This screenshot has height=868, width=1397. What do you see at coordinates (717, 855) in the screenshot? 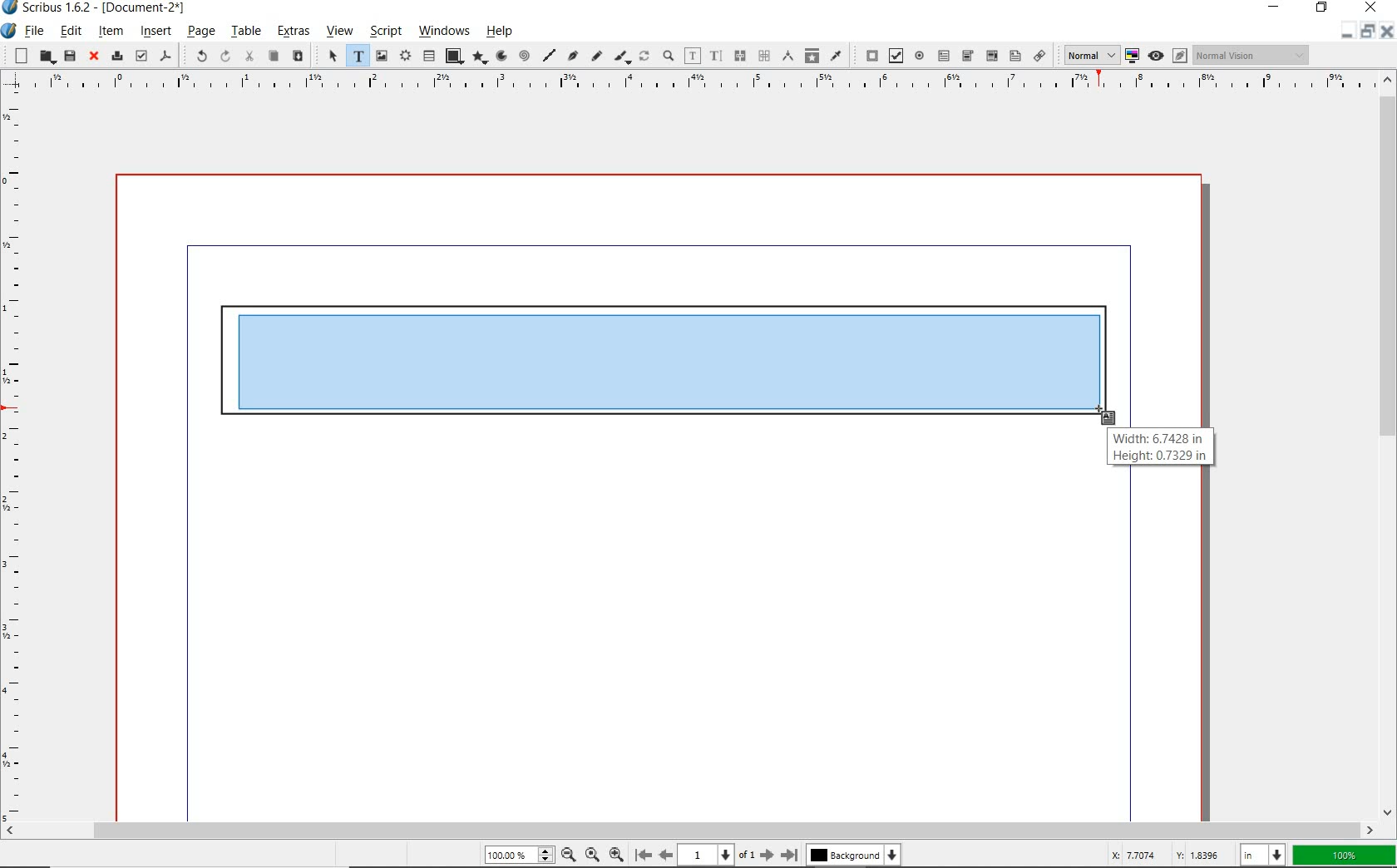
I see `current page` at bounding box center [717, 855].